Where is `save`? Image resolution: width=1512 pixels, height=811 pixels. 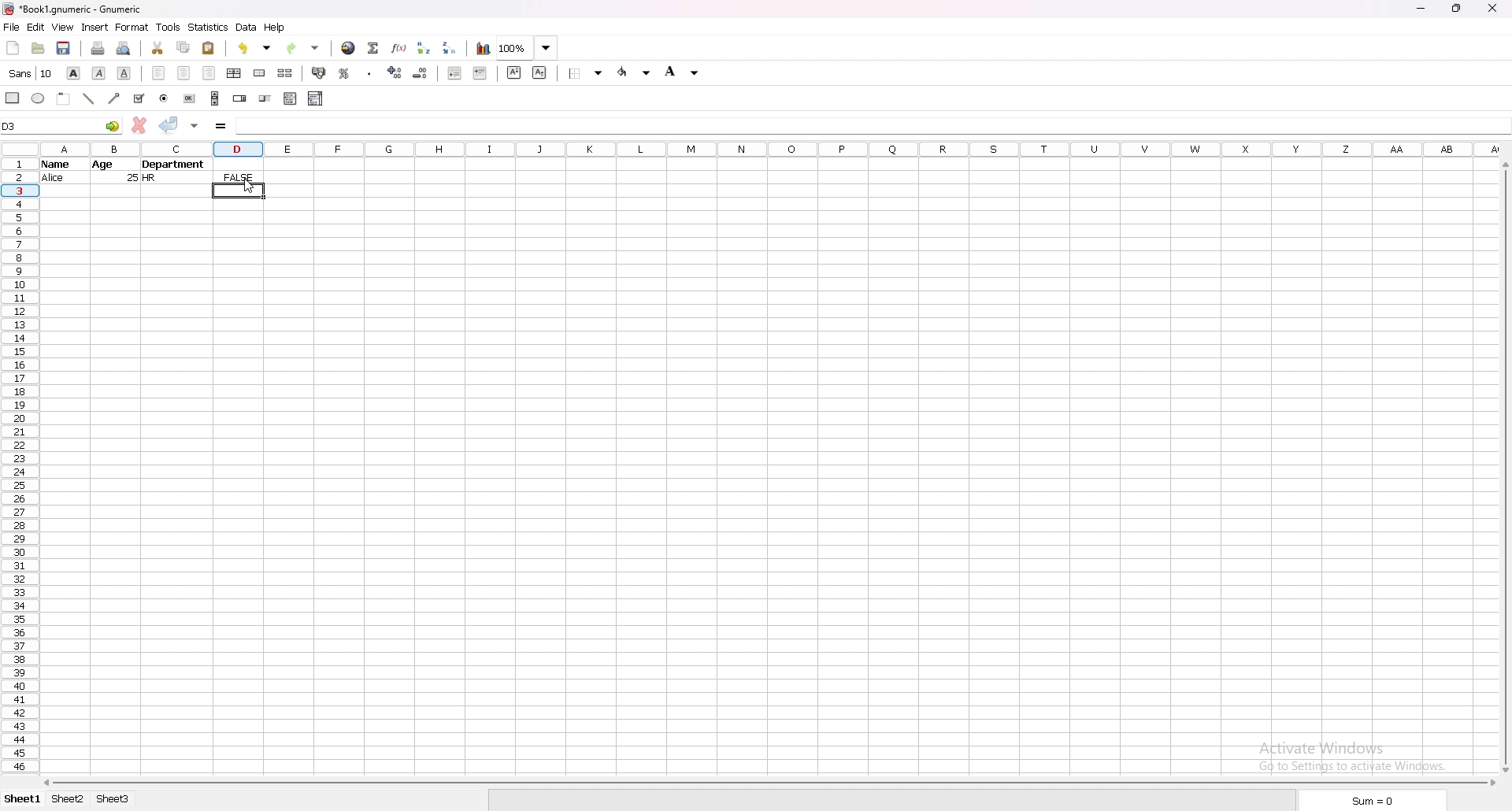
save is located at coordinates (62, 49).